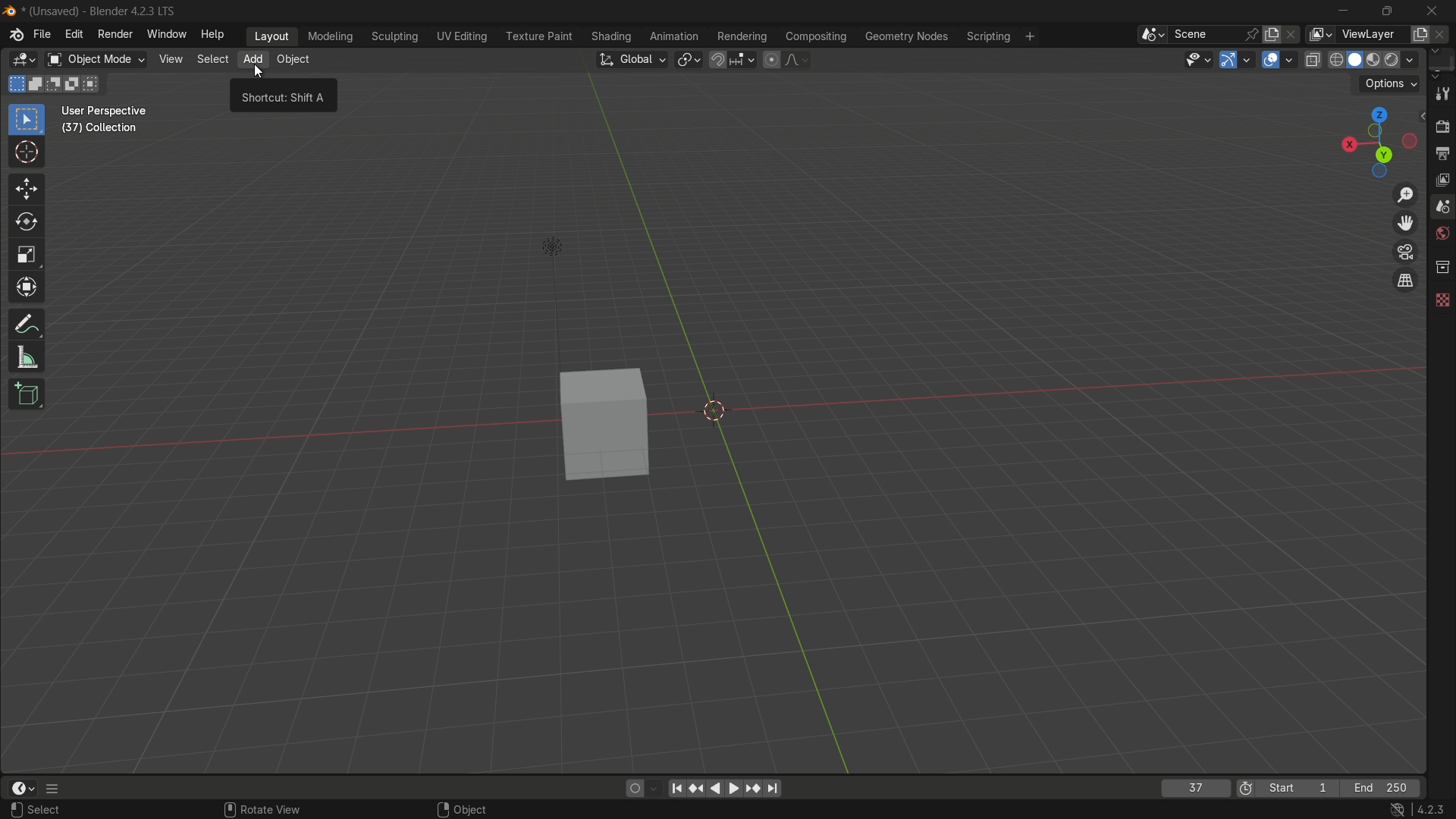 This screenshot has width=1456, height=819. What do you see at coordinates (11, 37) in the screenshot?
I see `logo` at bounding box center [11, 37].